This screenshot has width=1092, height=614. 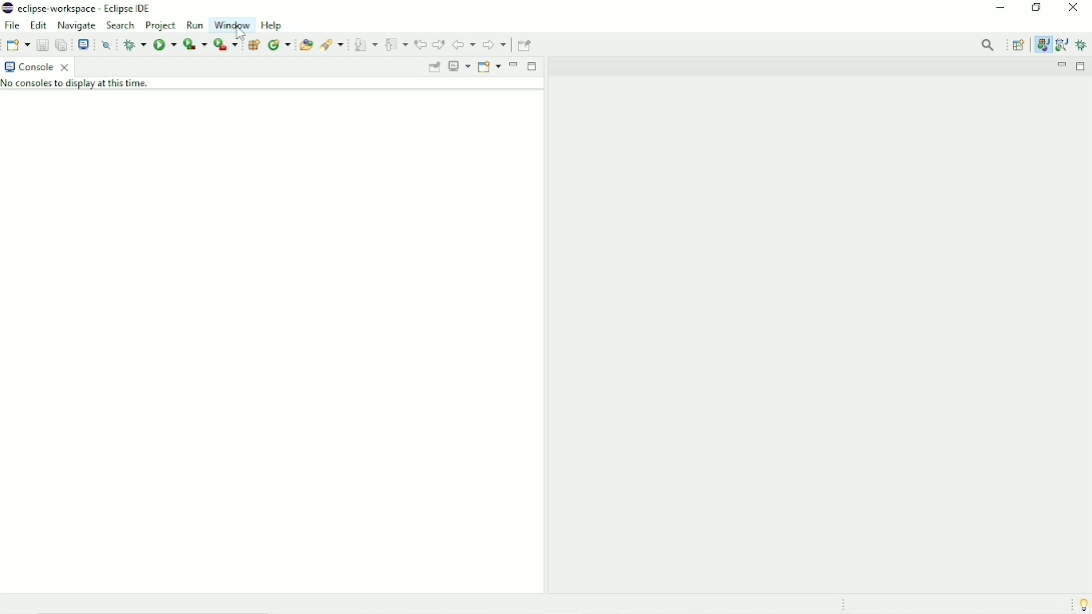 What do you see at coordinates (305, 44) in the screenshot?
I see `Open Type` at bounding box center [305, 44].